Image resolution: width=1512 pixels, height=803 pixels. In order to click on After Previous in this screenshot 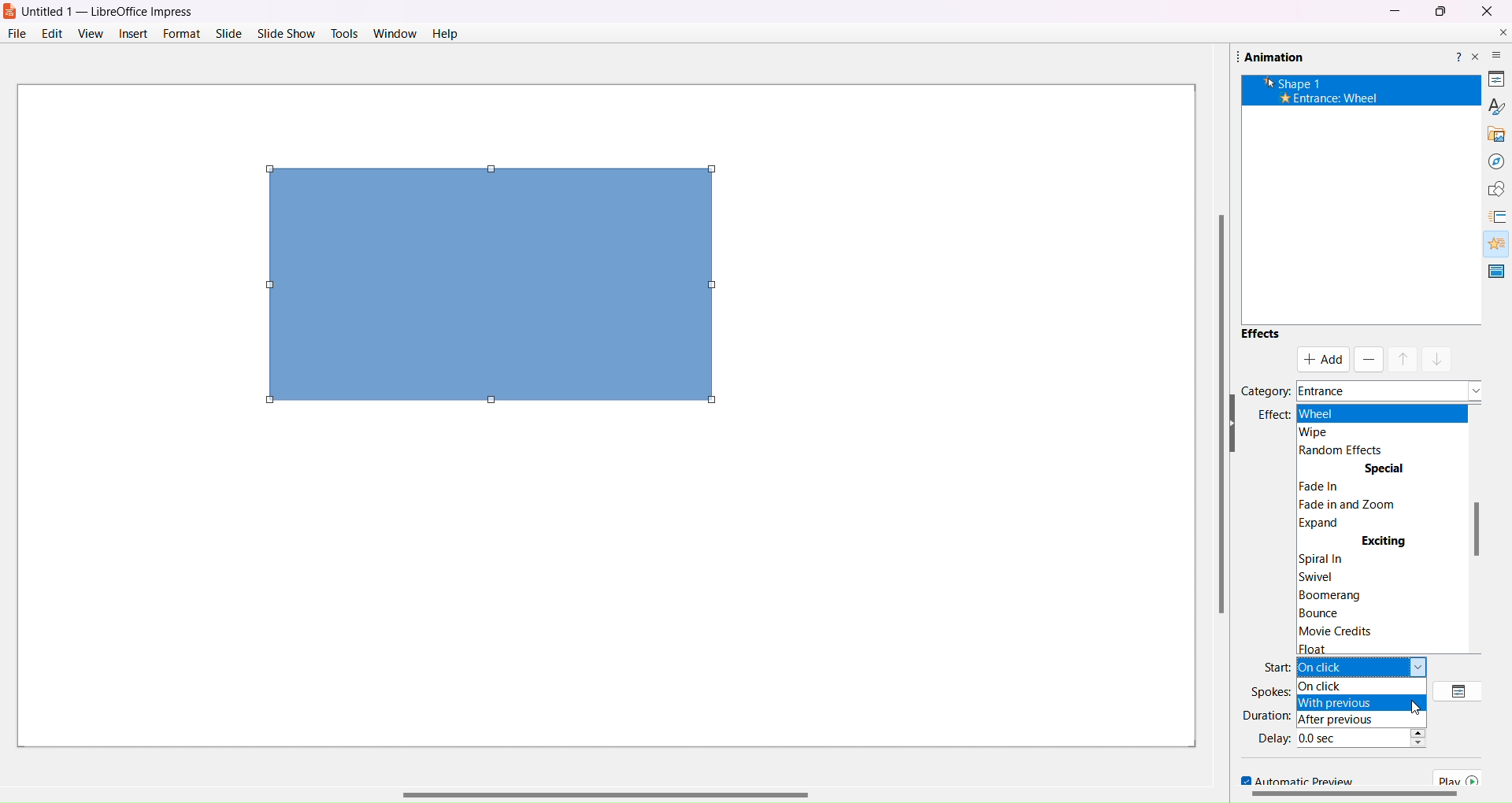, I will do `click(1351, 719)`.